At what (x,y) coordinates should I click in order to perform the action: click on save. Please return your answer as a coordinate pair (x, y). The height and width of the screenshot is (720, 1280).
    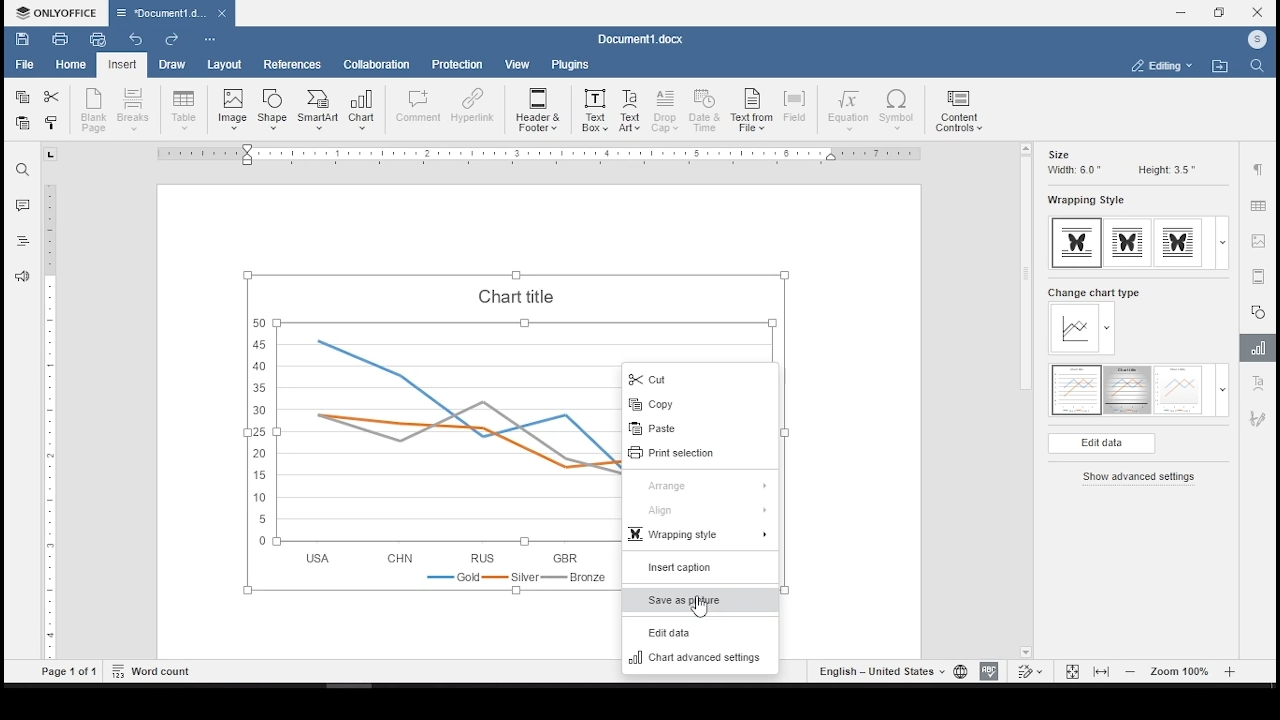
    Looking at the image, I should click on (23, 38).